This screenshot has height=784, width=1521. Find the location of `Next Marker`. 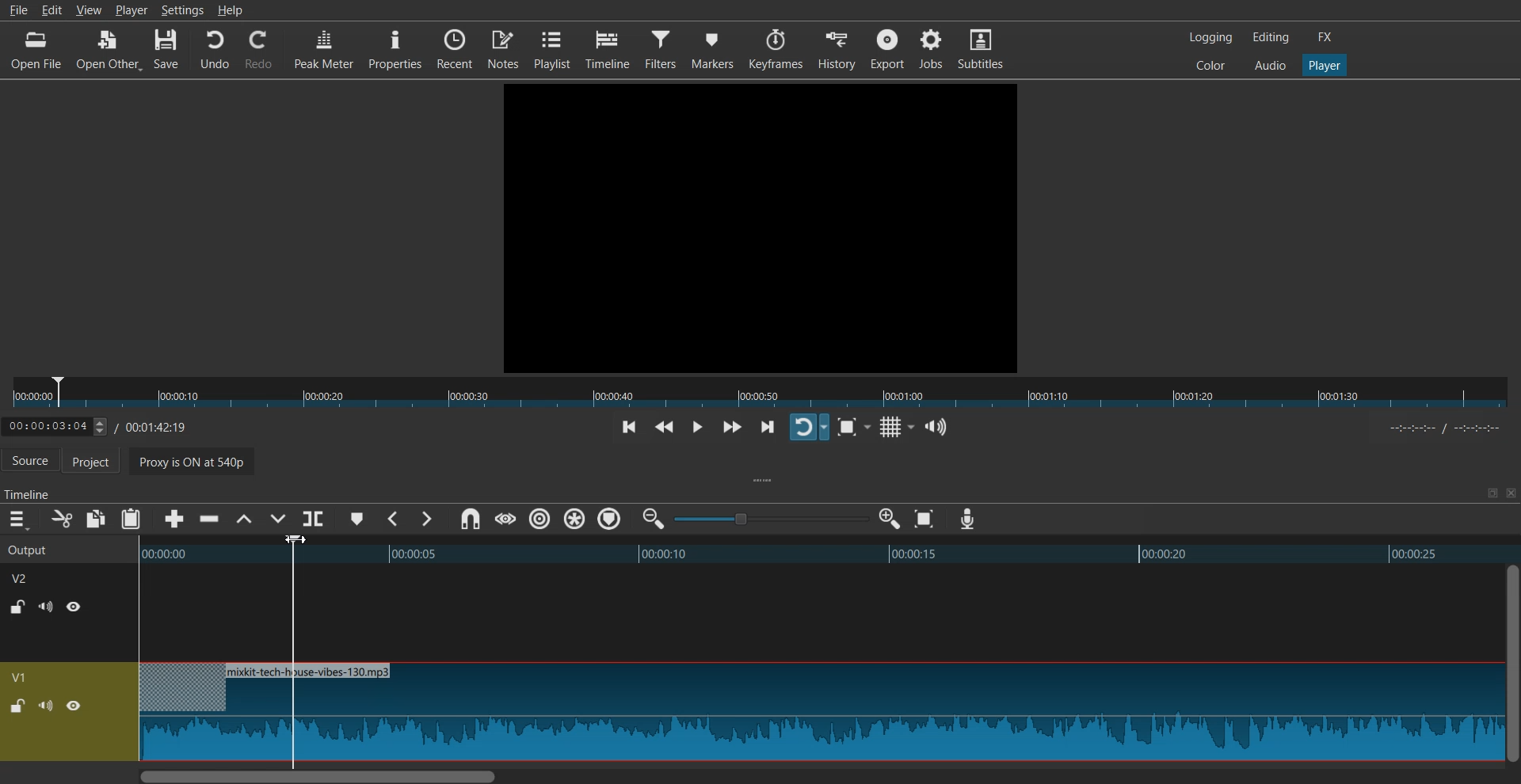

Next Marker is located at coordinates (425, 519).